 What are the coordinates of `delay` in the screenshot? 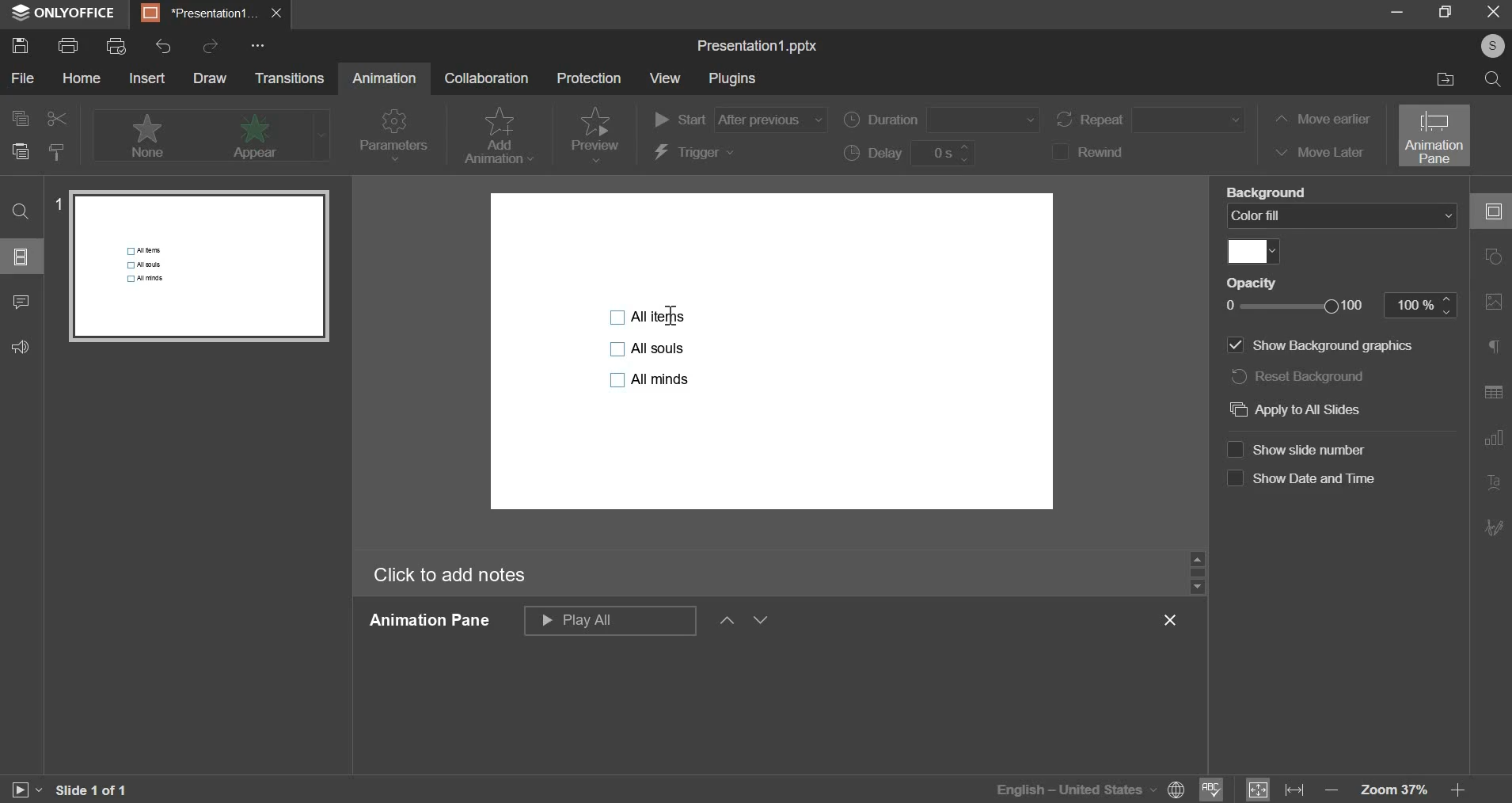 It's located at (913, 154).